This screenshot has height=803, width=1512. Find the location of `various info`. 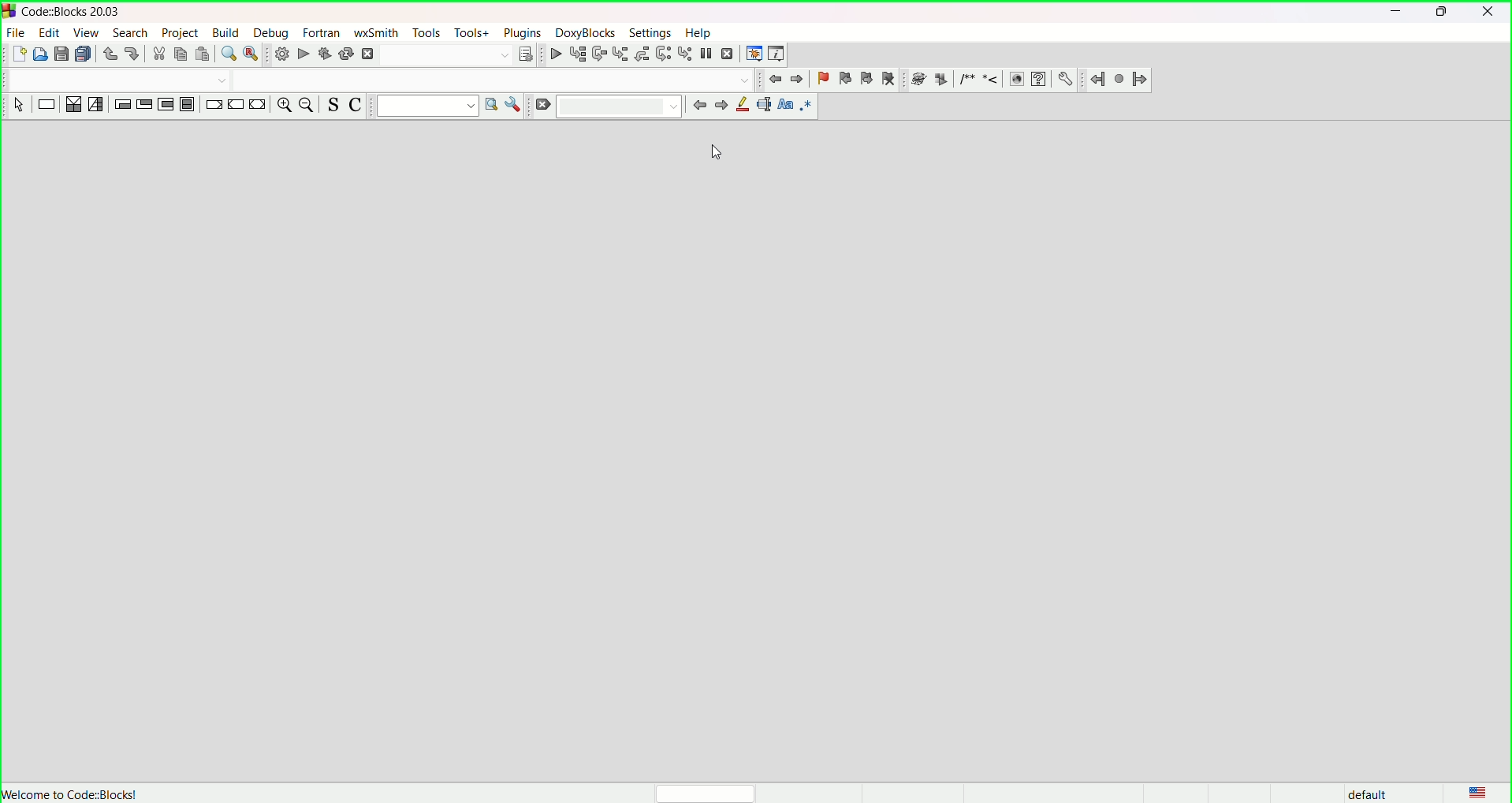

various info is located at coordinates (780, 54).